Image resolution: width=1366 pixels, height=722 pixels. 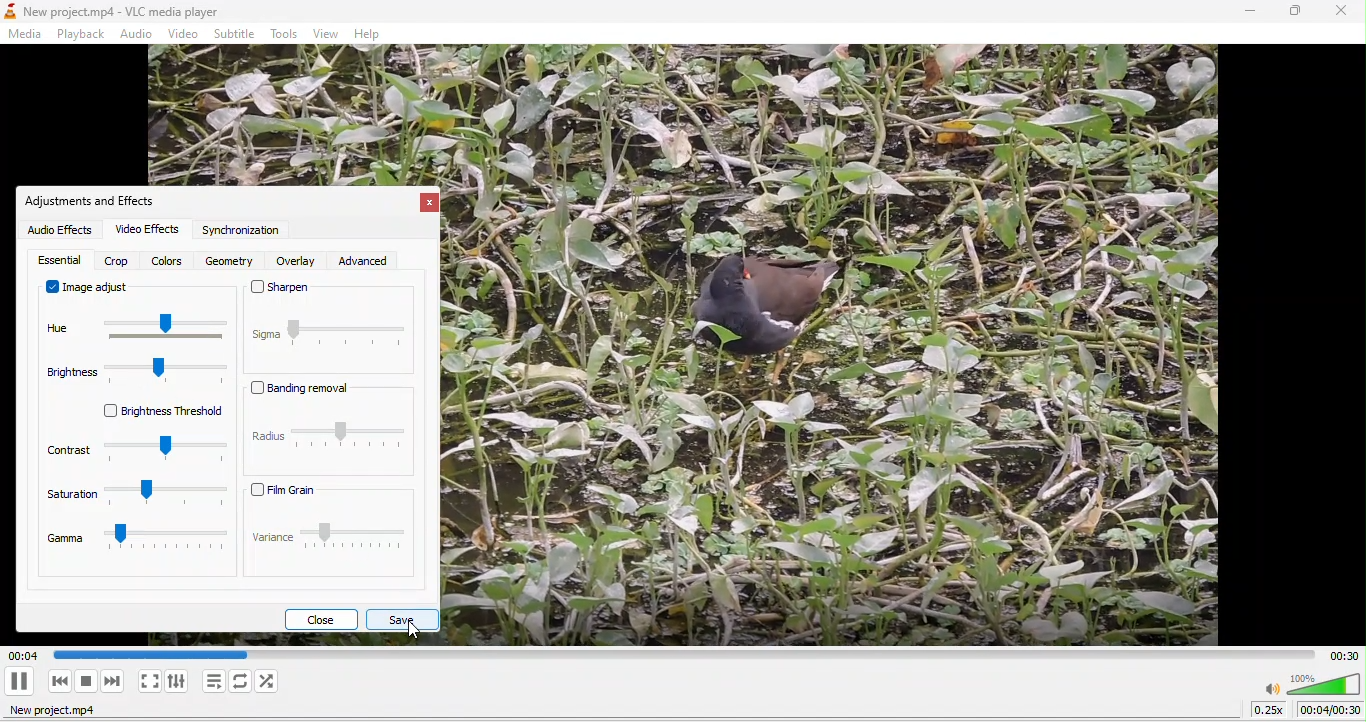 I want to click on overlay, so click(x=298, y=262).